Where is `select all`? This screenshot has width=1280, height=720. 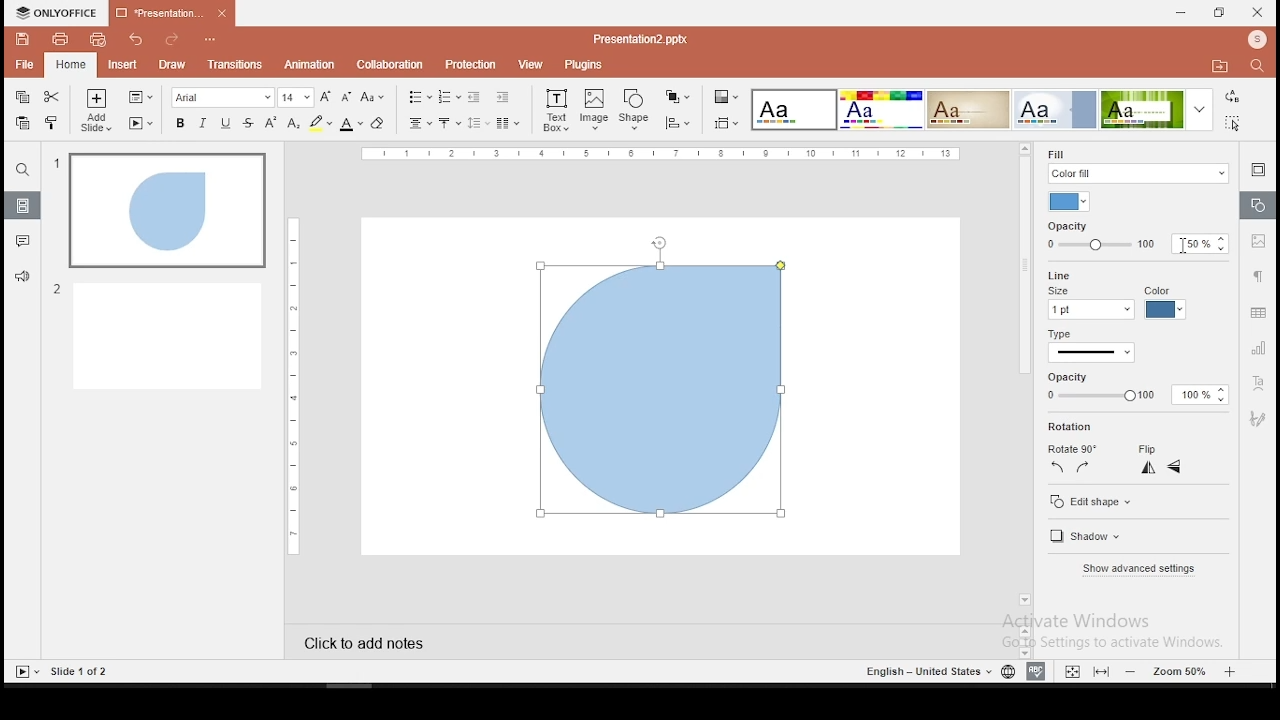 select all is located at coordinates (1230, 125).